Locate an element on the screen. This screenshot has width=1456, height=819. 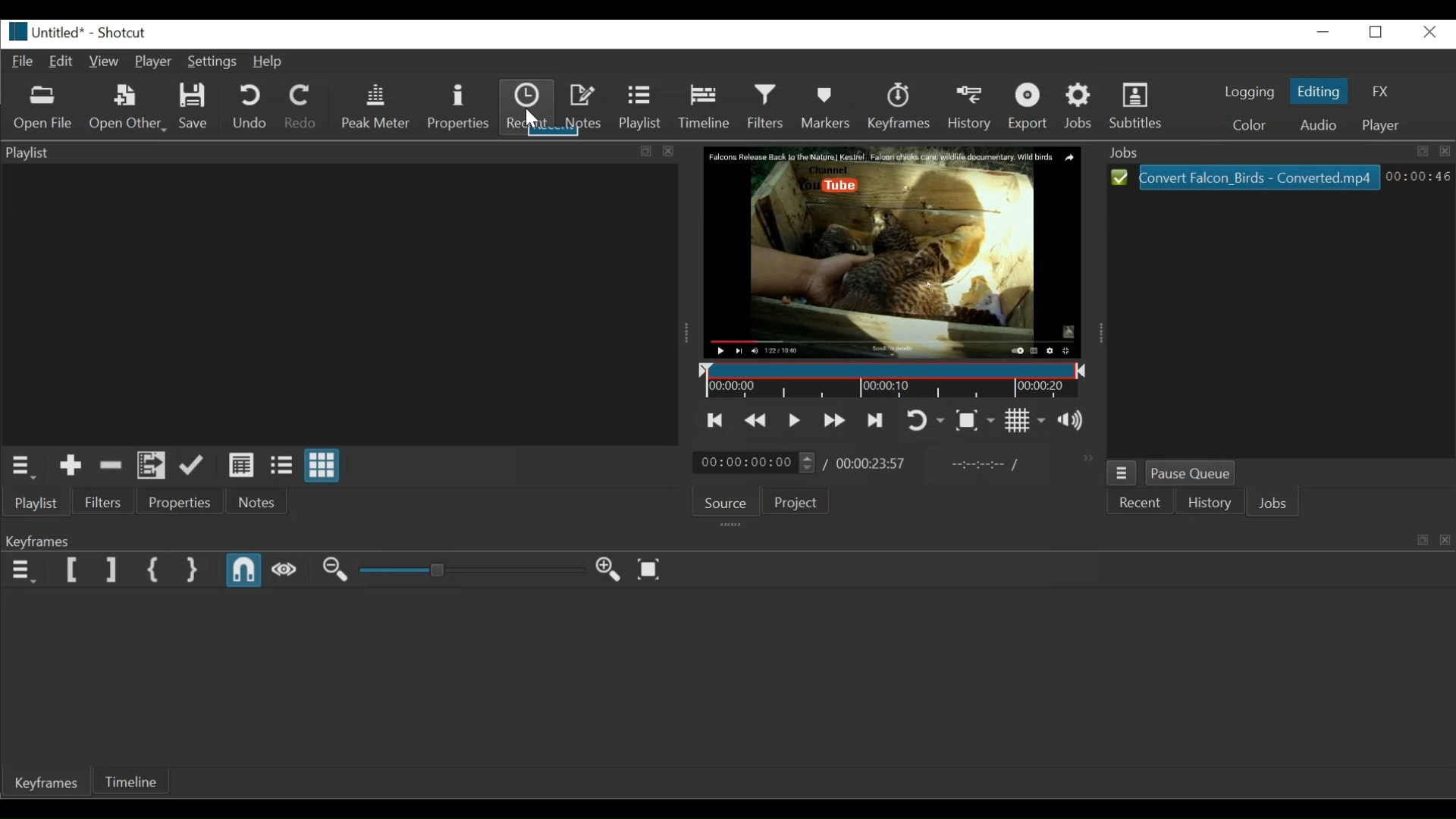
Toggle play or pause (space) is located at coordinates (795, 419).